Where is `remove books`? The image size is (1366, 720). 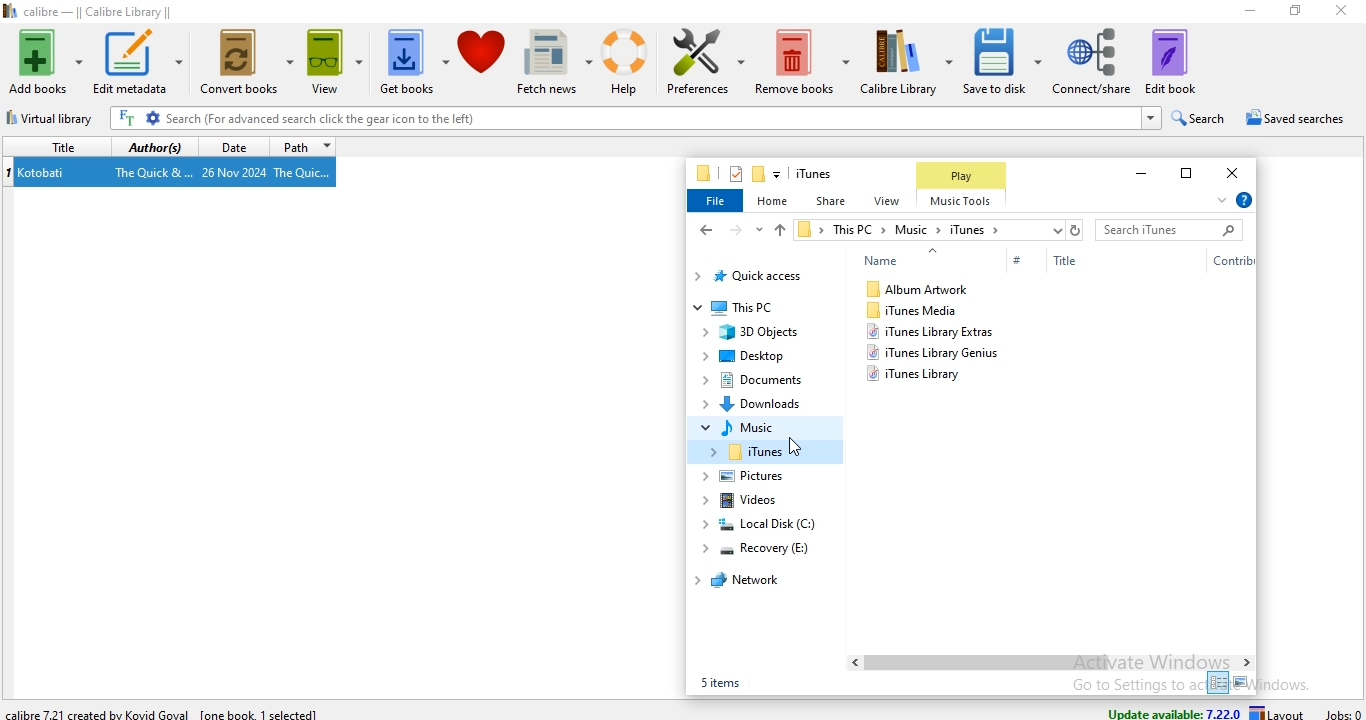 remove books is located at coordinates (802, 60).